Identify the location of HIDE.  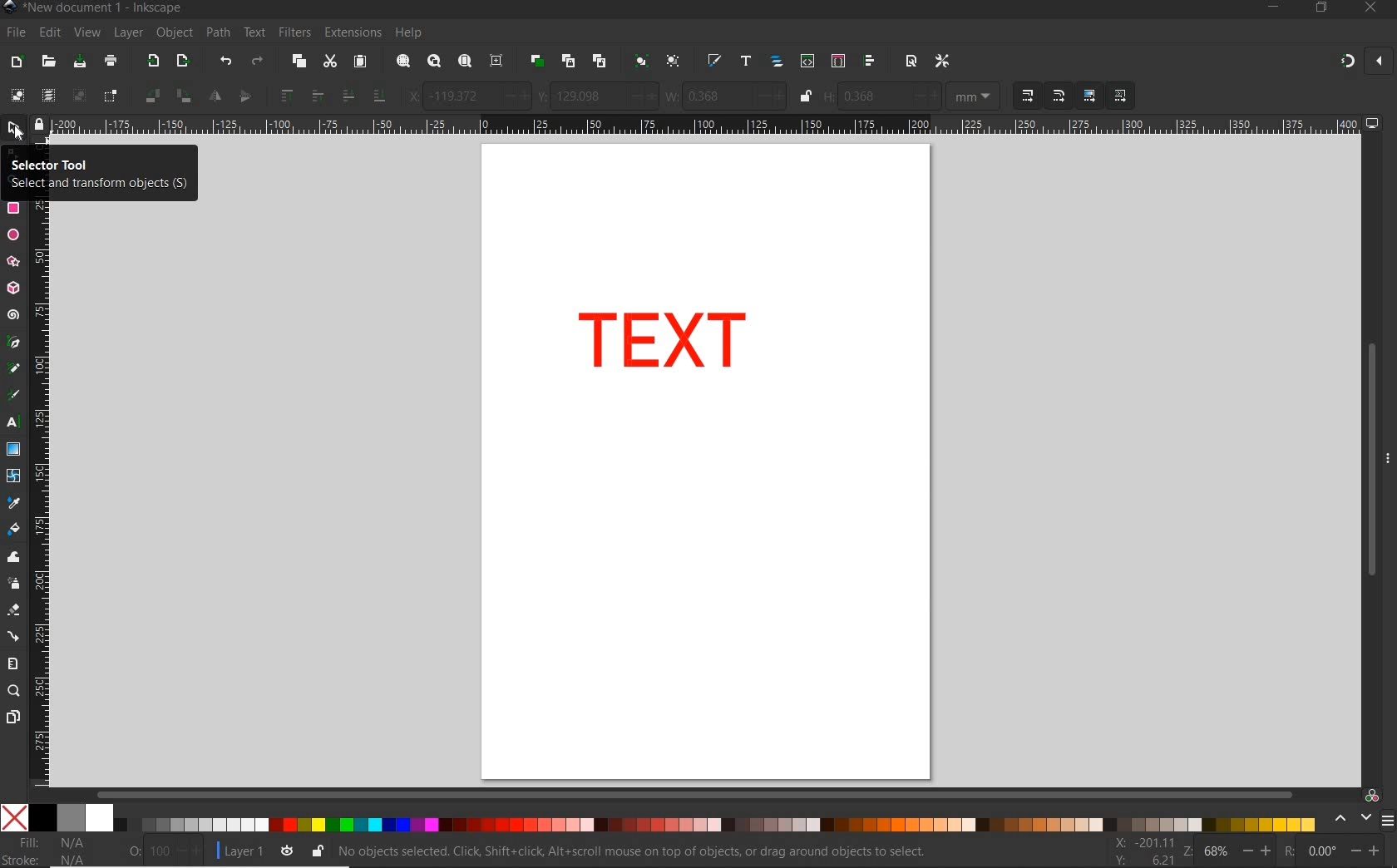
(1388, 457).